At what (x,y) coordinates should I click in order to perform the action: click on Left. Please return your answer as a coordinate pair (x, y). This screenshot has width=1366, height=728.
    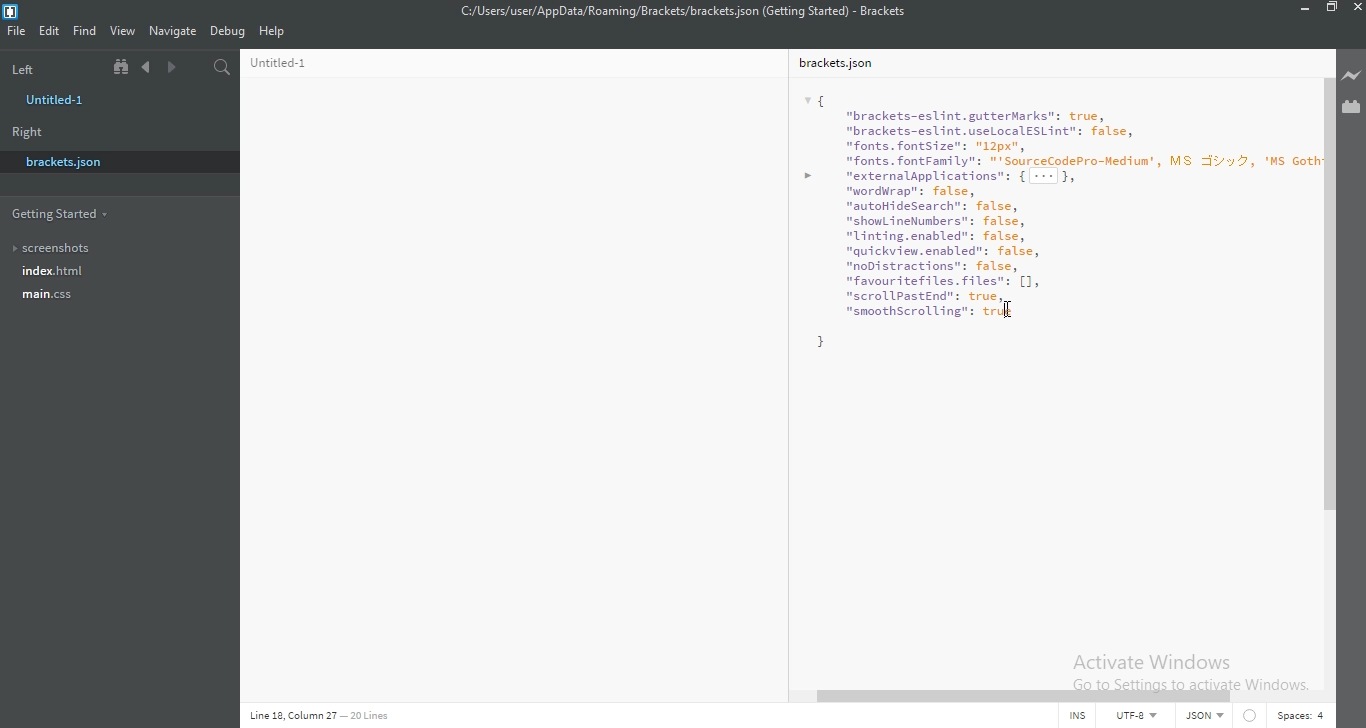
    Looking at the image, I should click on (46, 67).